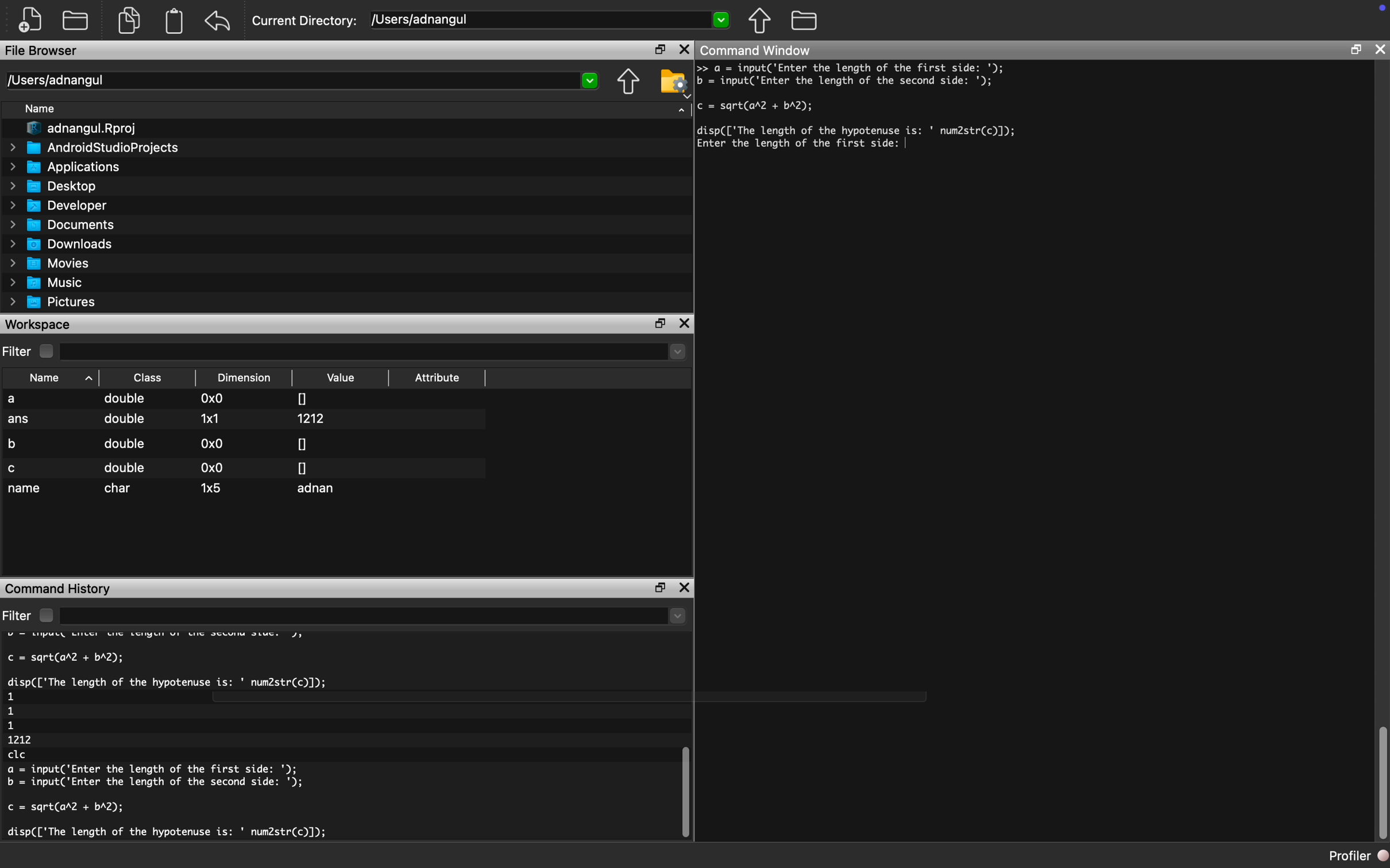  I want to click on a, so click(21, 400).